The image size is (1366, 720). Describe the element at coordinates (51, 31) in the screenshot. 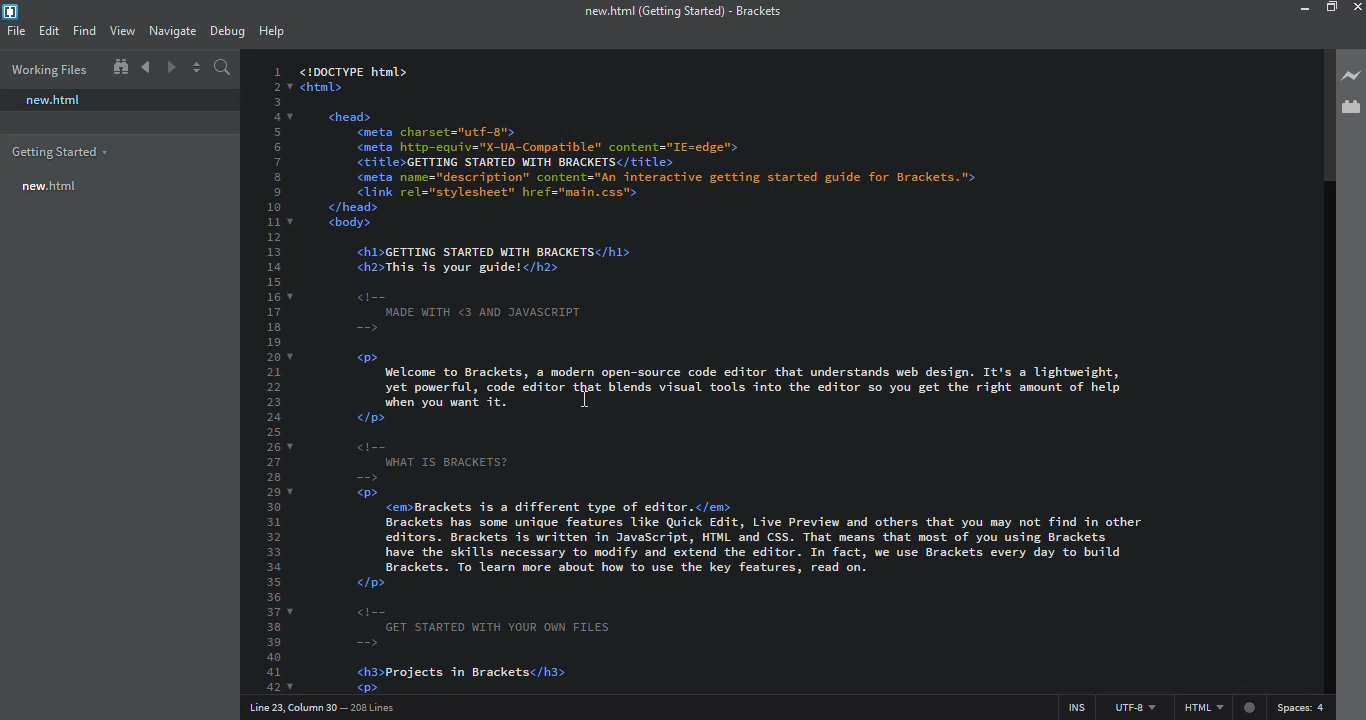

I see `edit` at that location.